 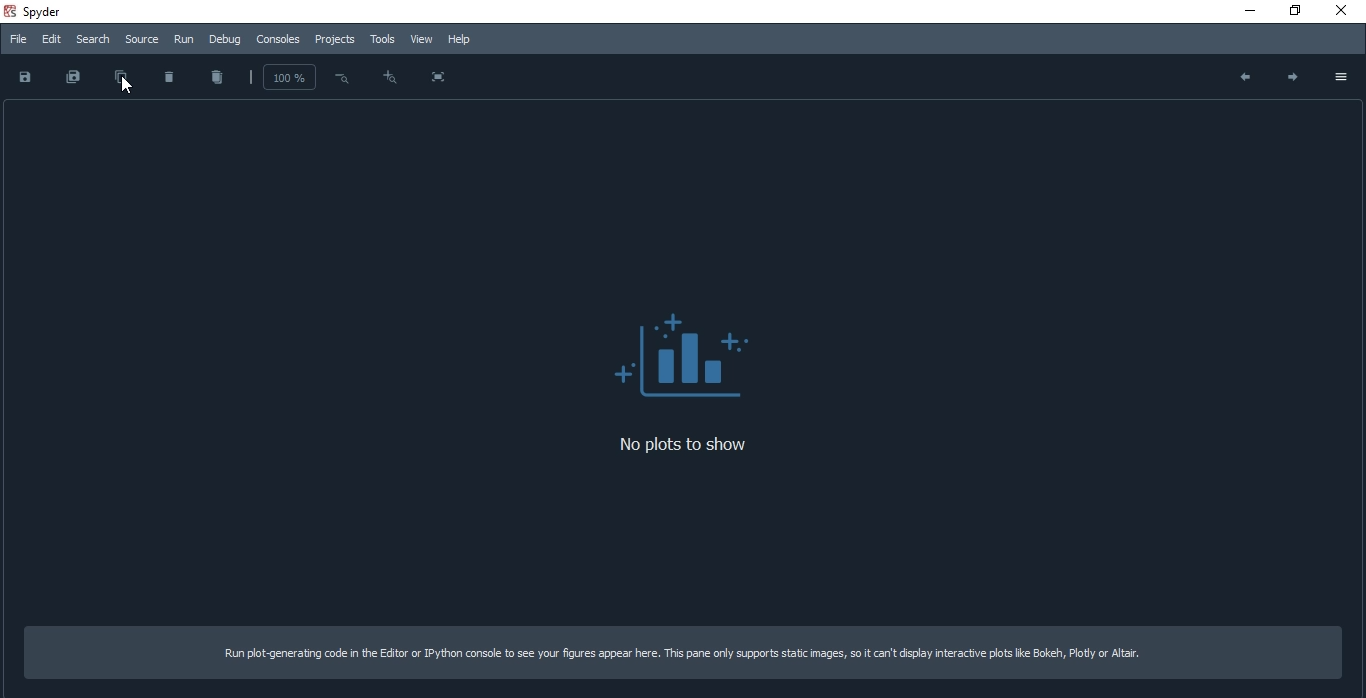 What do you see at coordinates (68, 78) in the screenshot?
I see `save all` at bounding box center [68, 78].